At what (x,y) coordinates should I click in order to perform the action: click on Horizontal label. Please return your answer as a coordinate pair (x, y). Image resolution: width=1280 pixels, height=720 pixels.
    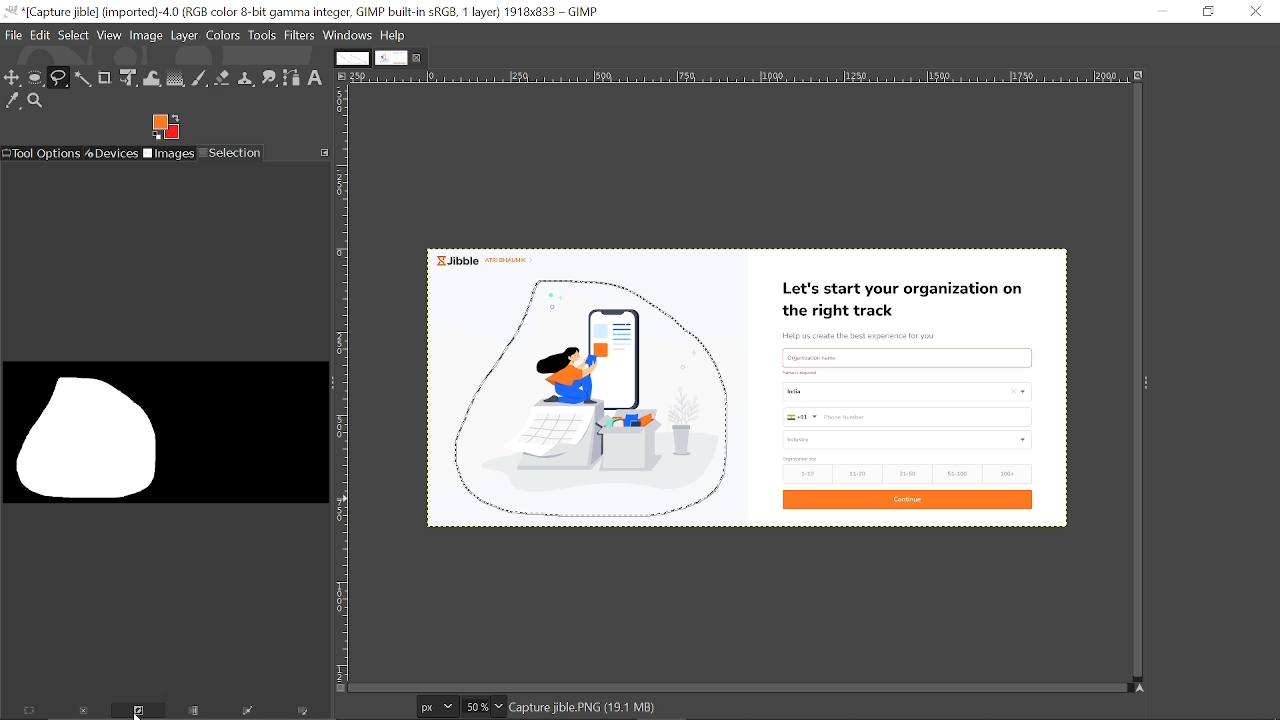
    Looking at the image, I should click on (738, 78).